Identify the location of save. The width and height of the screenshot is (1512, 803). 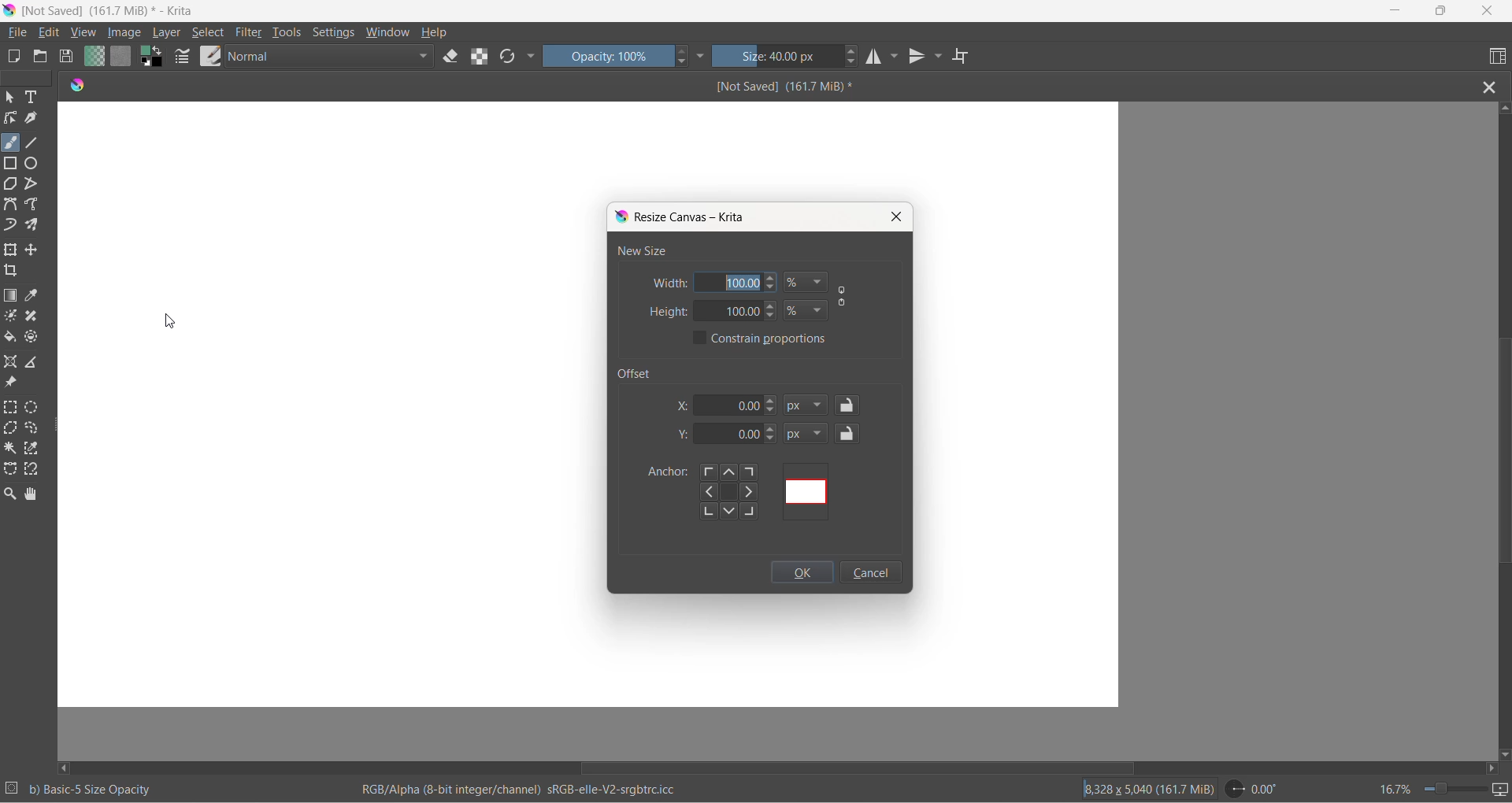
(67, 58).